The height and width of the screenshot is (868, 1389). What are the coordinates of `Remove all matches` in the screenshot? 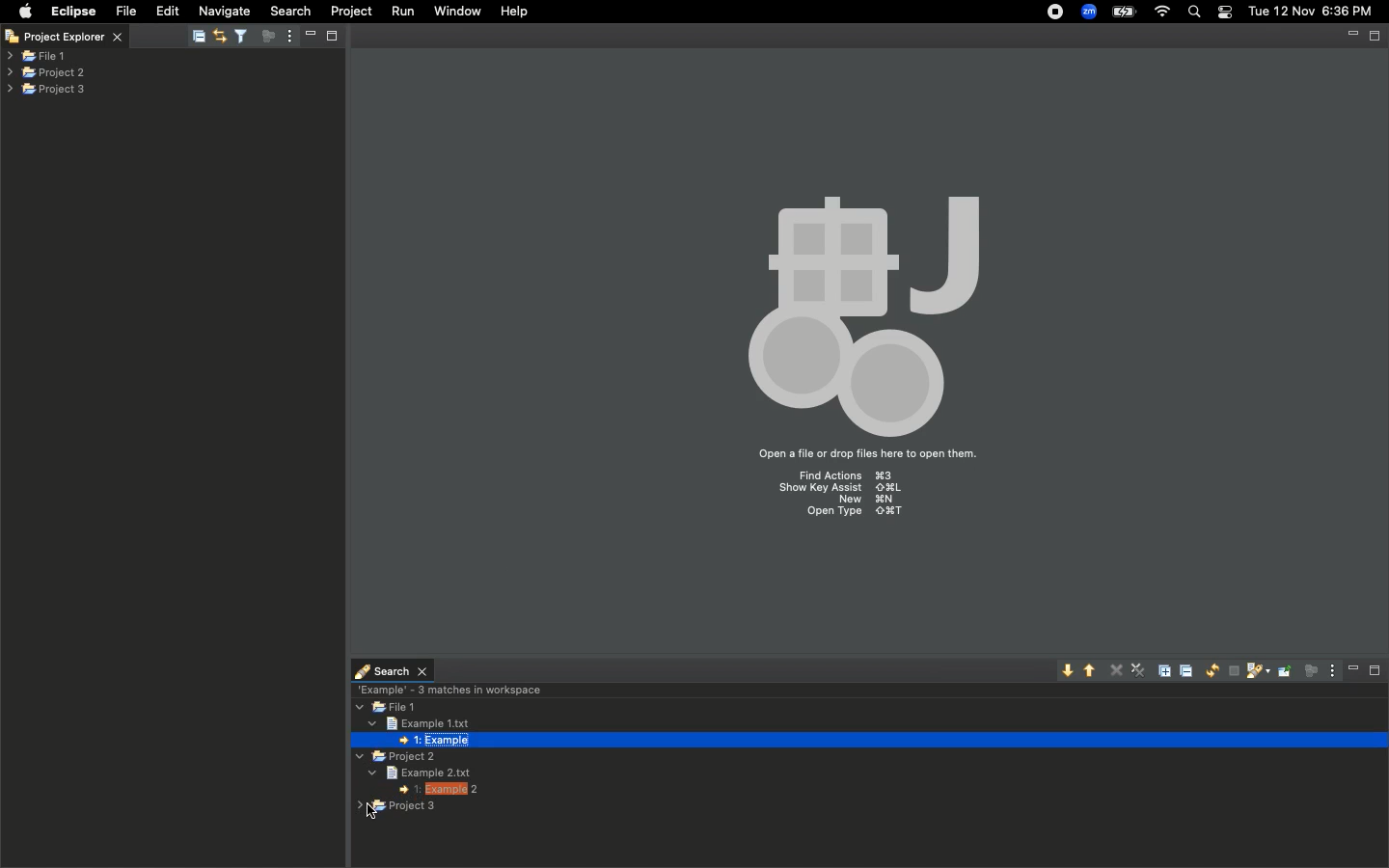 It's located at (1140, 672).